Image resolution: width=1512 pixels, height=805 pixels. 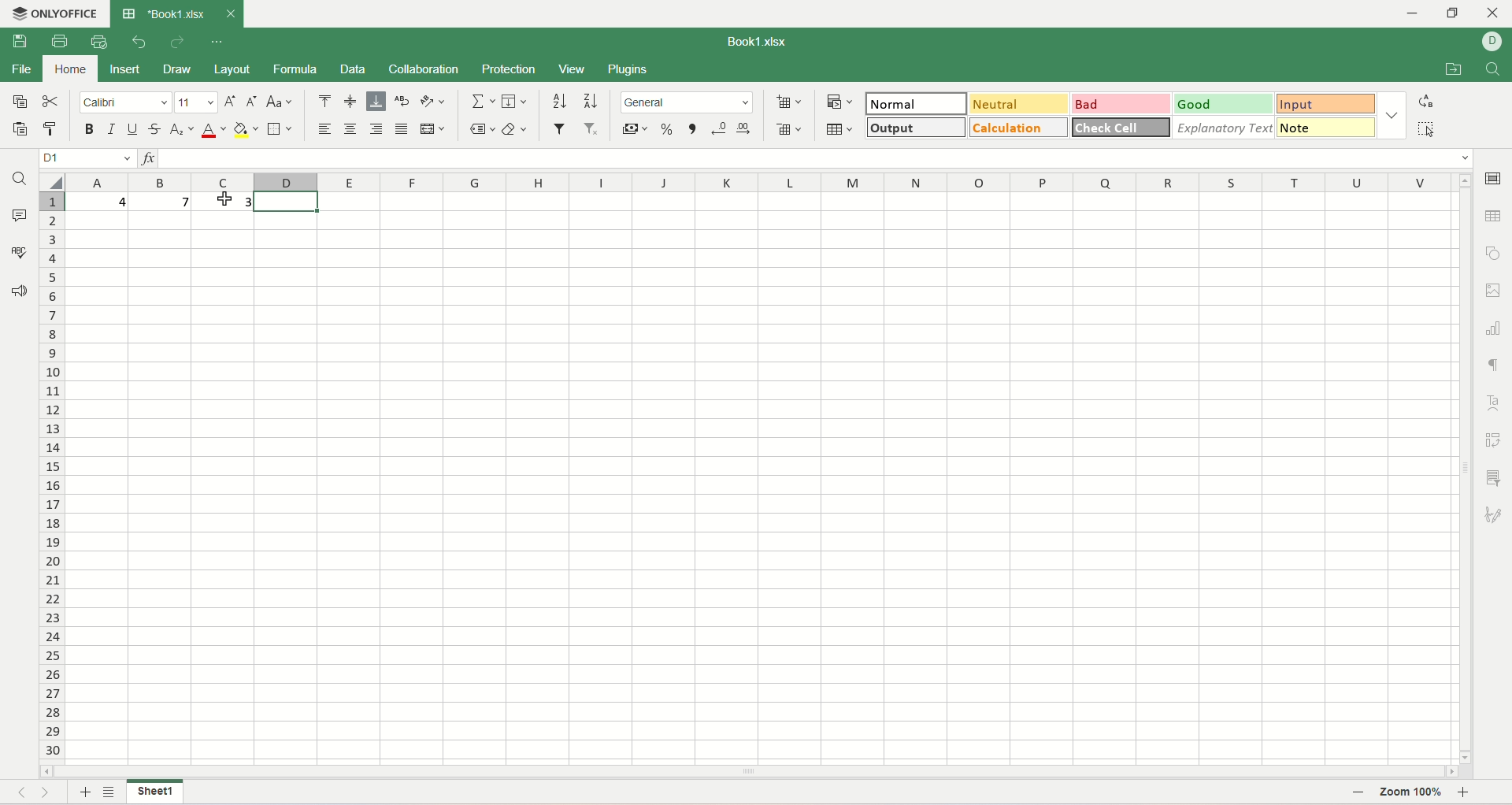 I want to click on formula, so click(x=296, y=69).